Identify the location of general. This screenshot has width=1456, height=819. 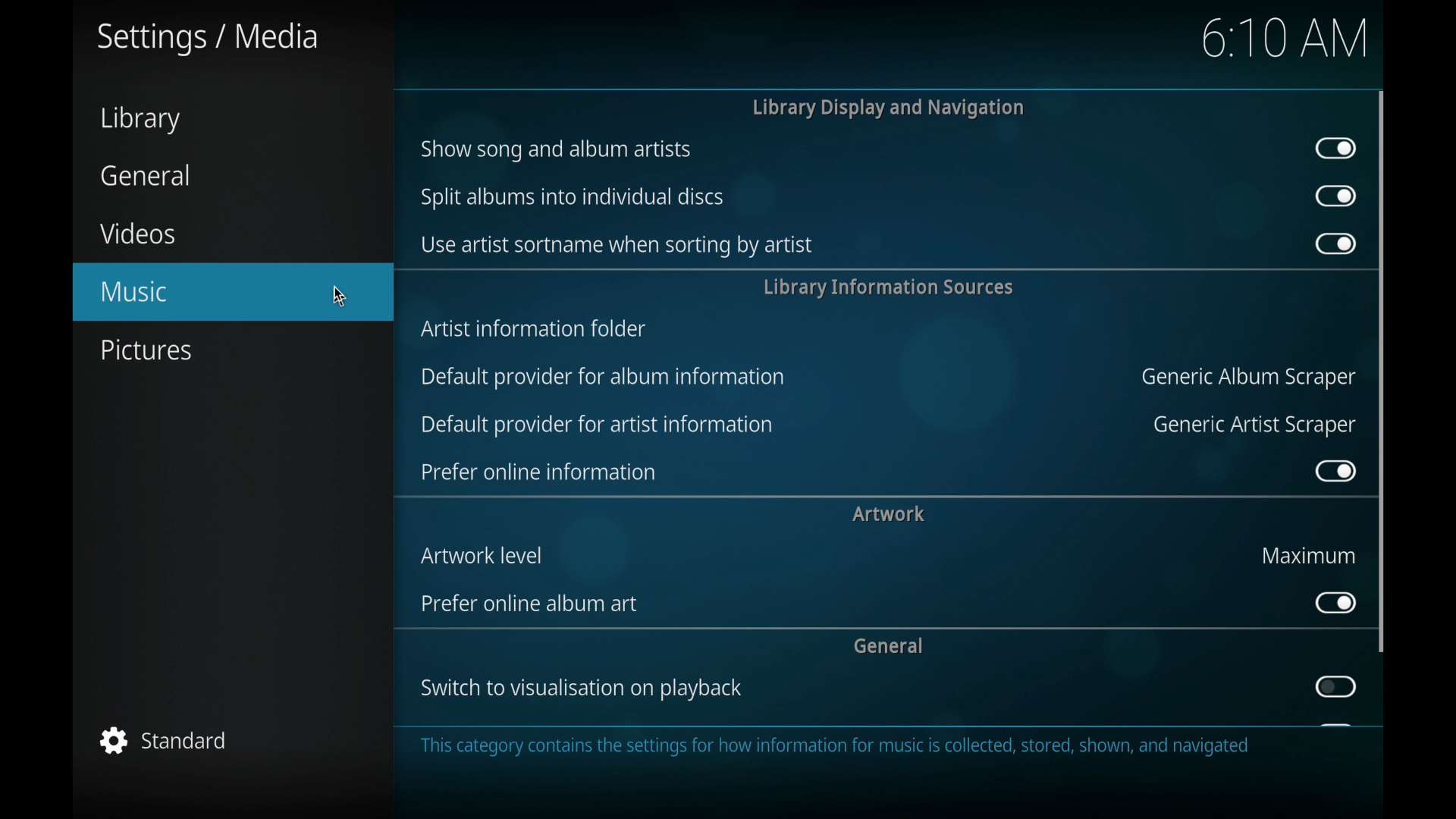
(146, 175).